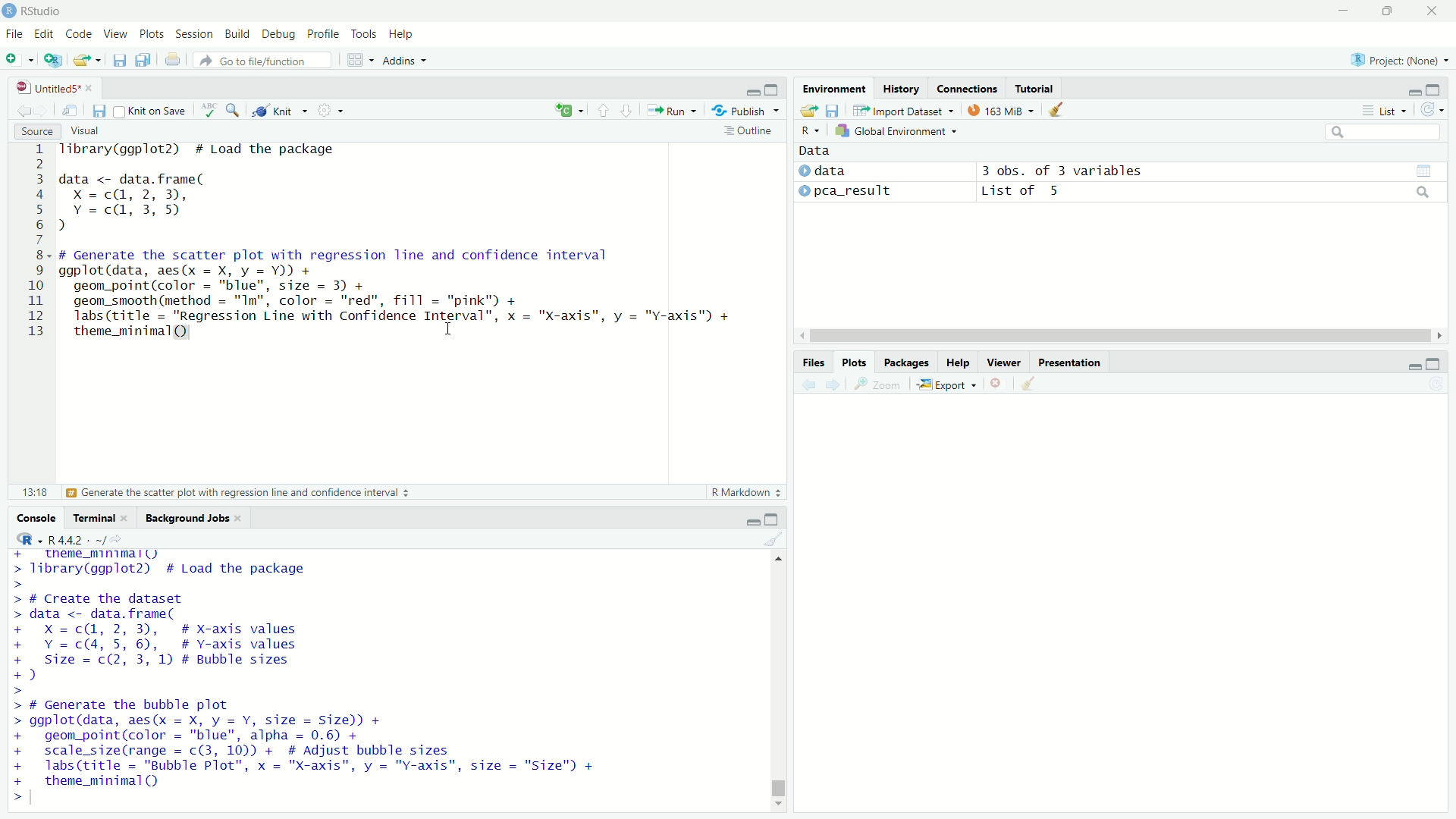 The height and width of the screenshot is (819, 1456). What do you see at coordinates (853, 362) in the screenshot?
I see `Plots` at bounding box center [853, 362].